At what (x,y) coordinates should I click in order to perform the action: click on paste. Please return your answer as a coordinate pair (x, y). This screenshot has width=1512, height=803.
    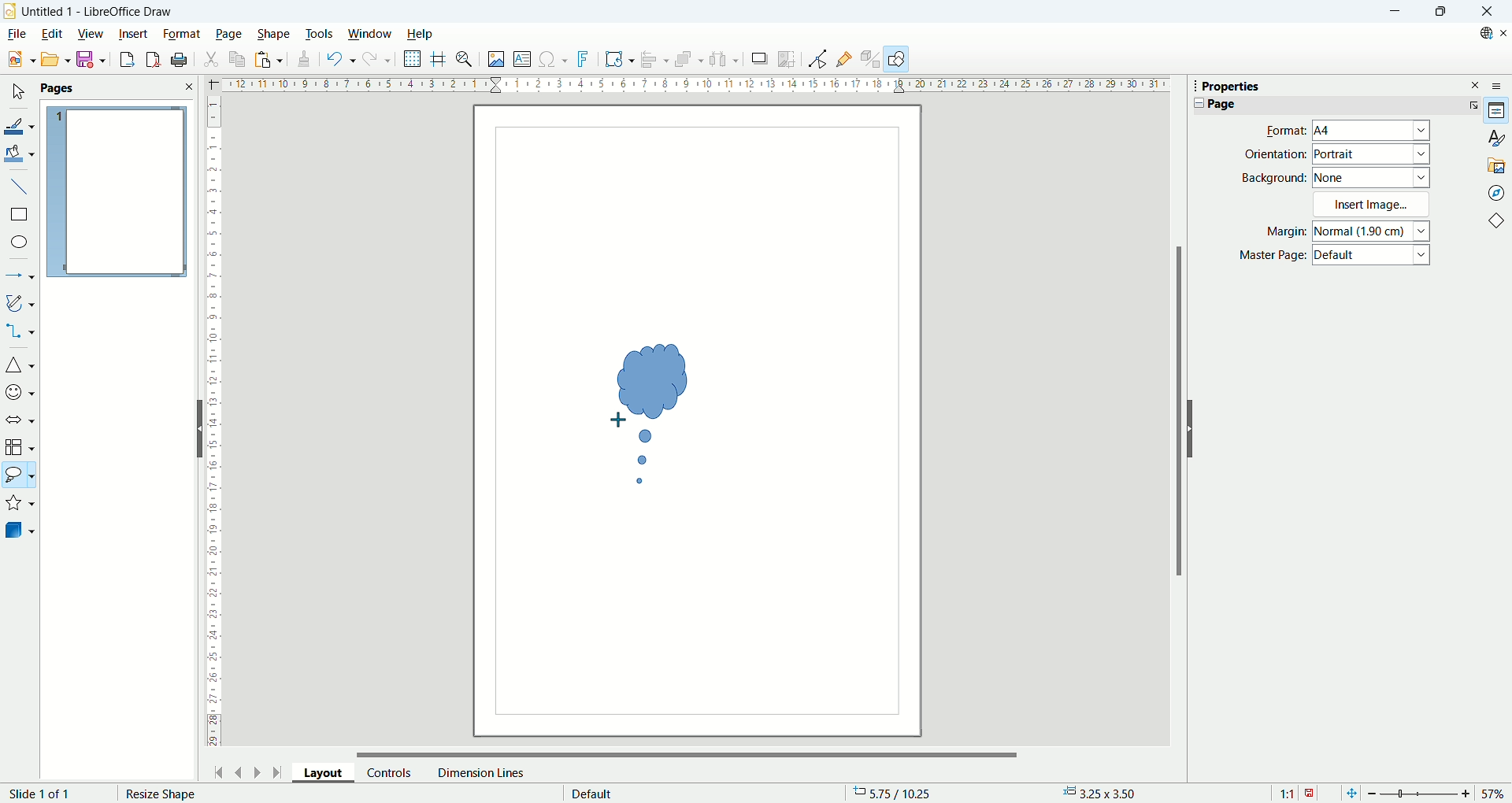
    Looking at the image, I should click on (268, 59).